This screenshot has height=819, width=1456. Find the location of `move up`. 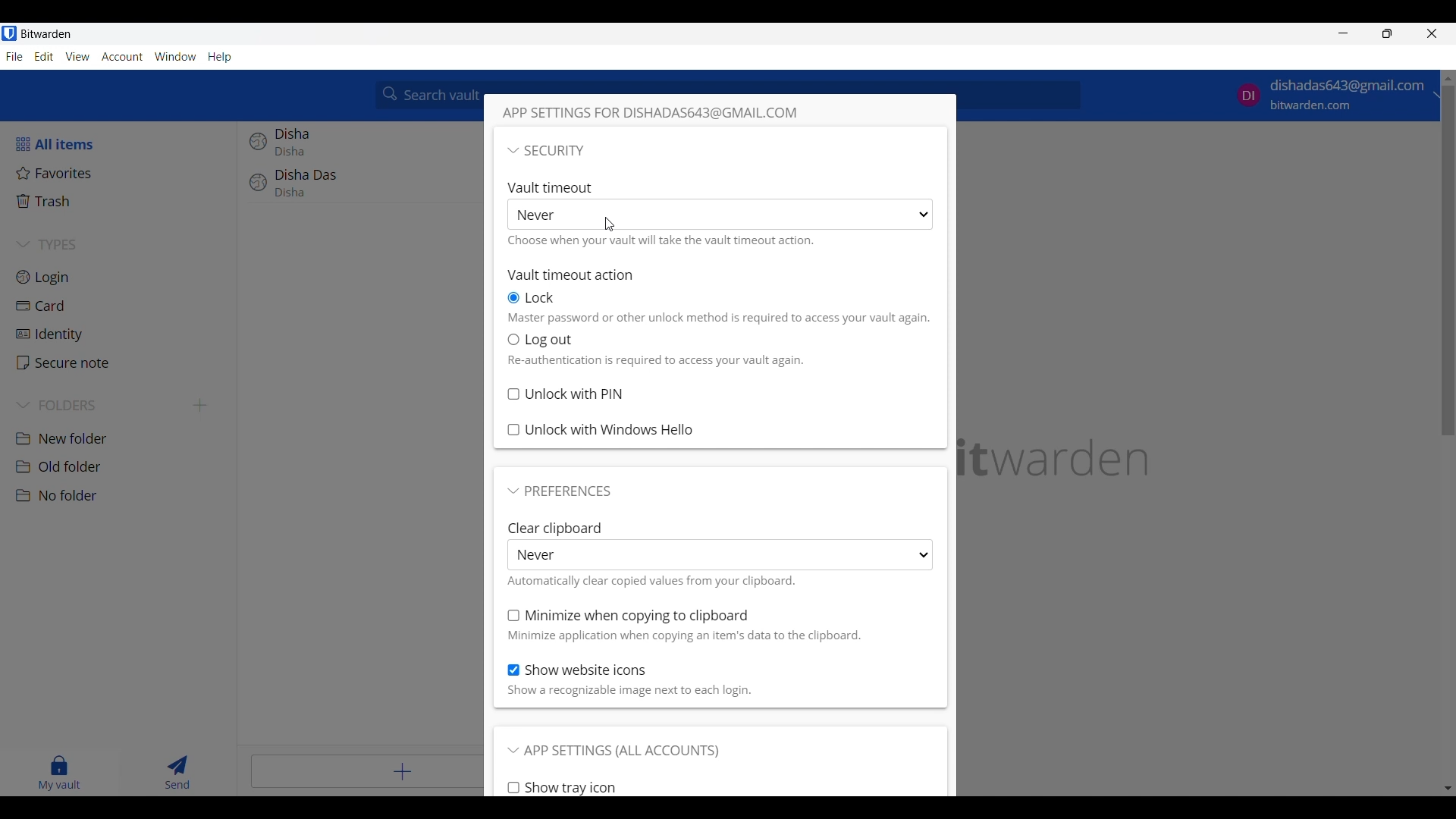

move up is located at coordinates (1447, 78).